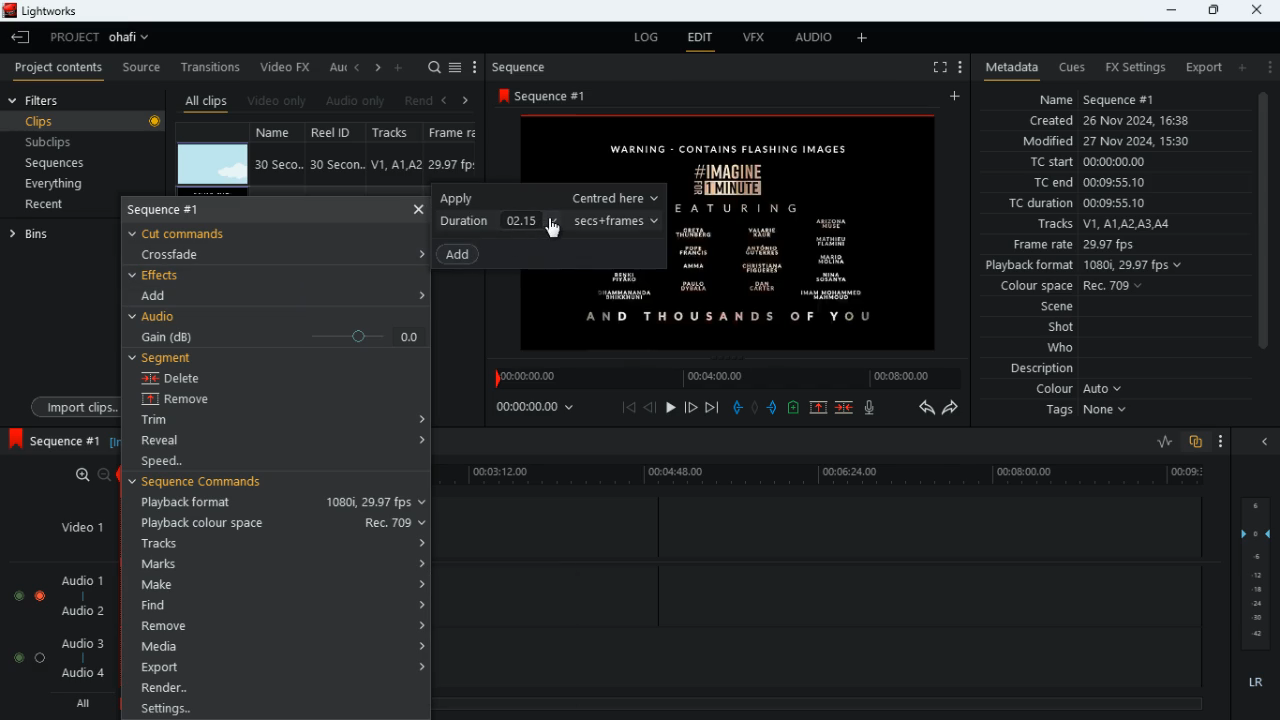  Describe the element at coordinates (1158, 442) in the screenshot. I see `rate` at that location.